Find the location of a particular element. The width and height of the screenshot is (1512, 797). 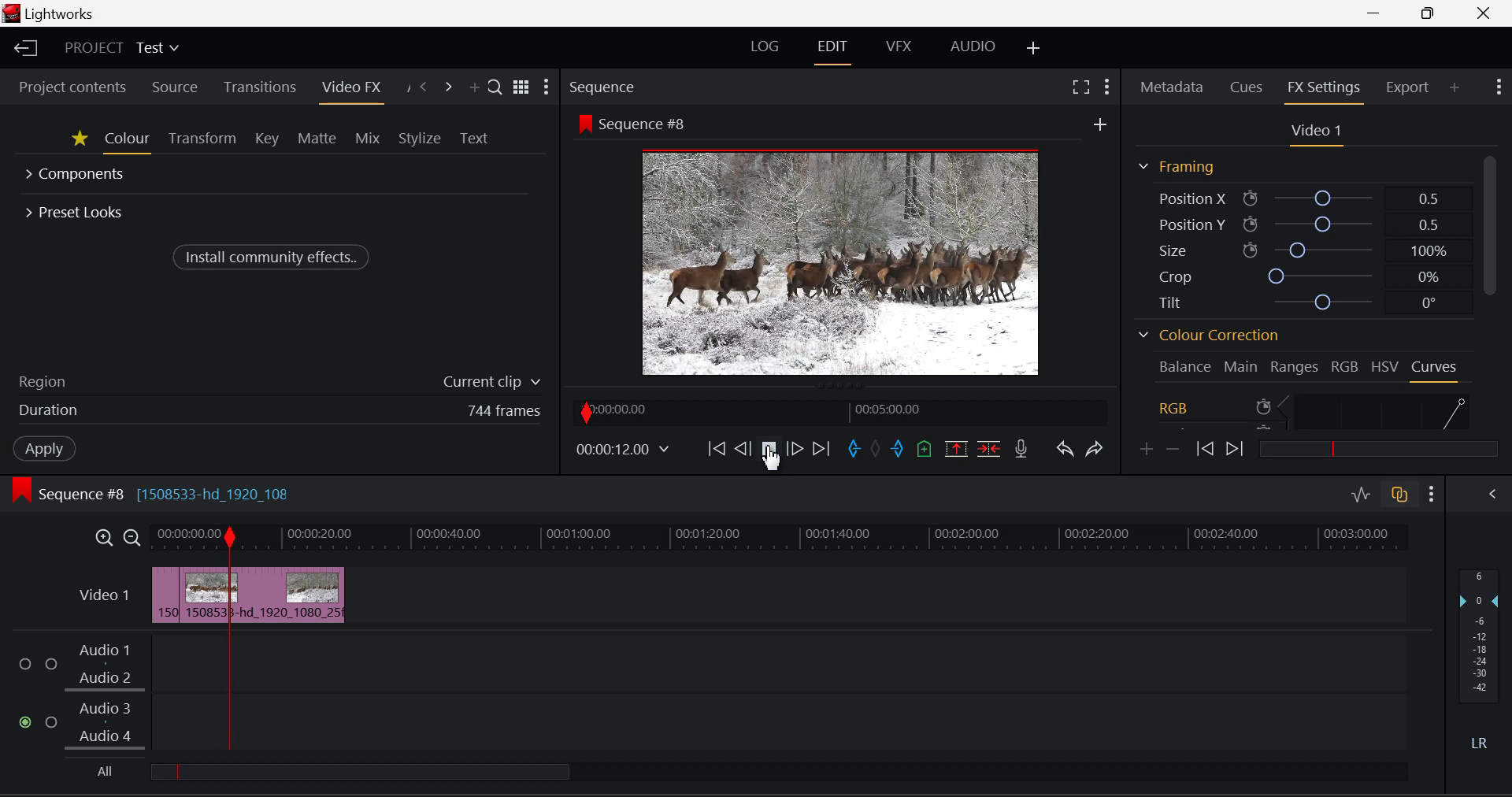

Screen Altered is located at coordinates (841, 261).